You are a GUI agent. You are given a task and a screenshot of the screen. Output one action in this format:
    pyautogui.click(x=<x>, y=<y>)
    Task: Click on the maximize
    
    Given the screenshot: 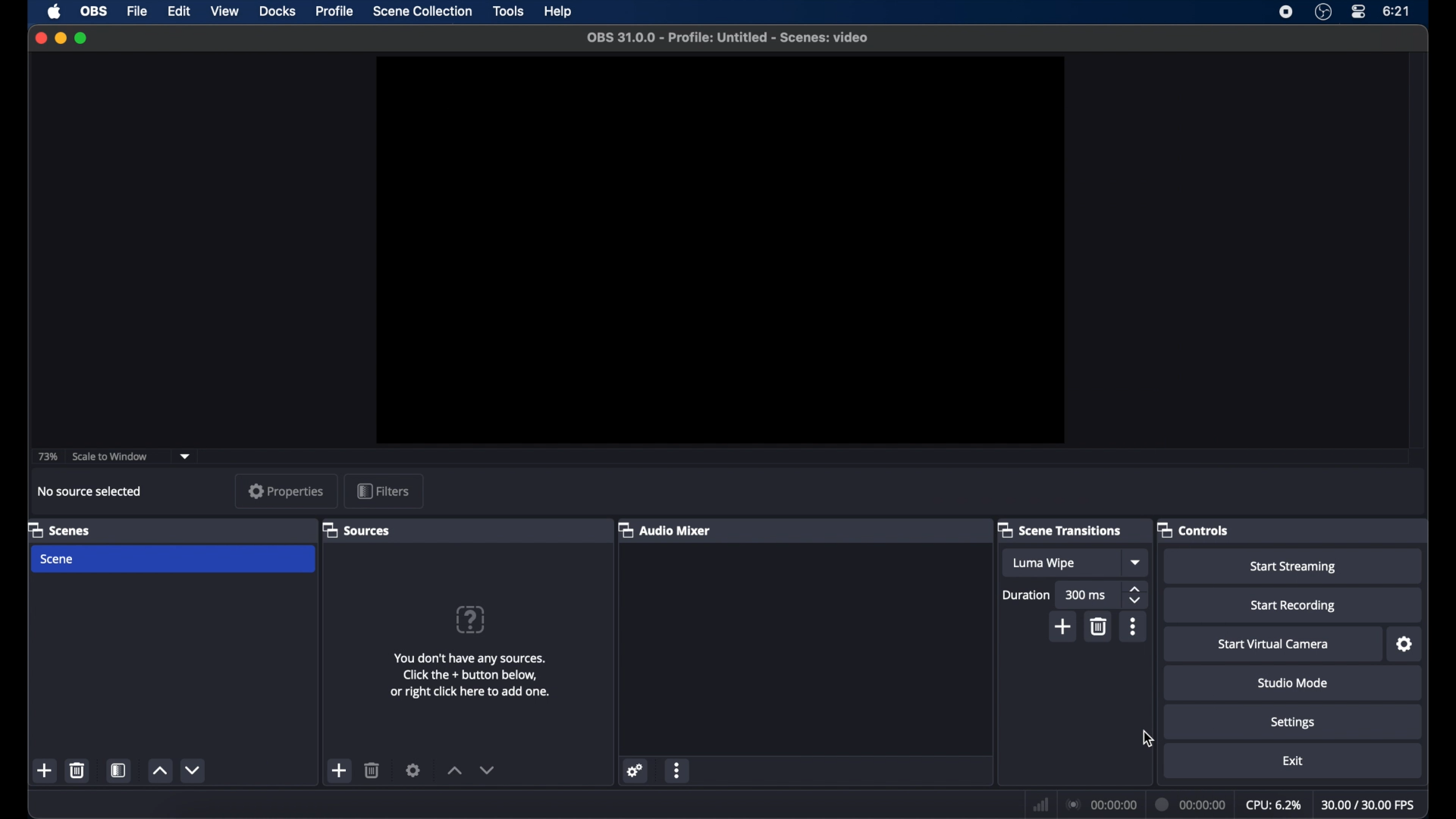 What is the action you would take?
    pyautogui.click(x=82, y=38)
    